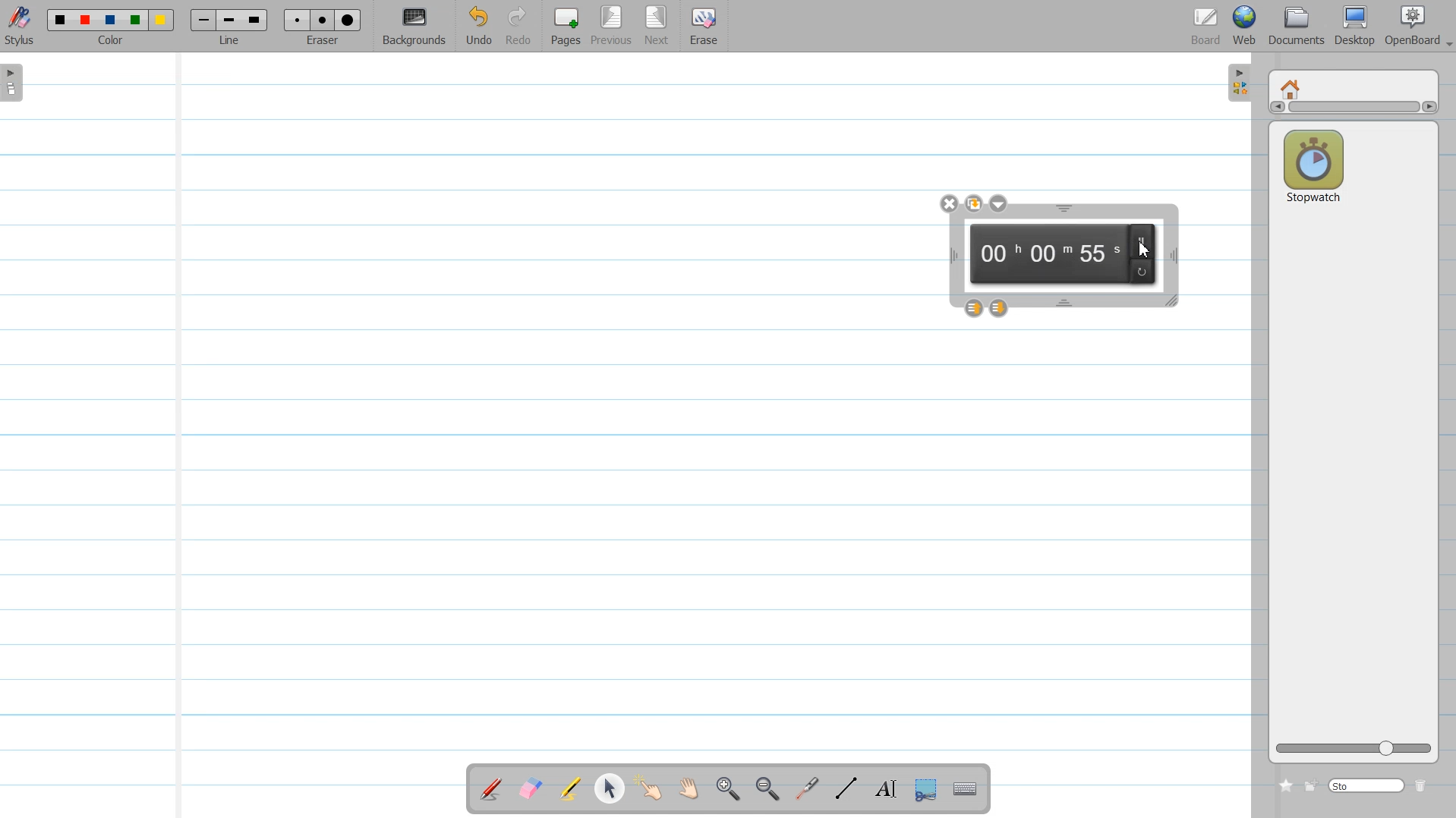  Describe the element at coordinates (1354, 749) in the screenshot. I see `Logo size adjuster` at that location.